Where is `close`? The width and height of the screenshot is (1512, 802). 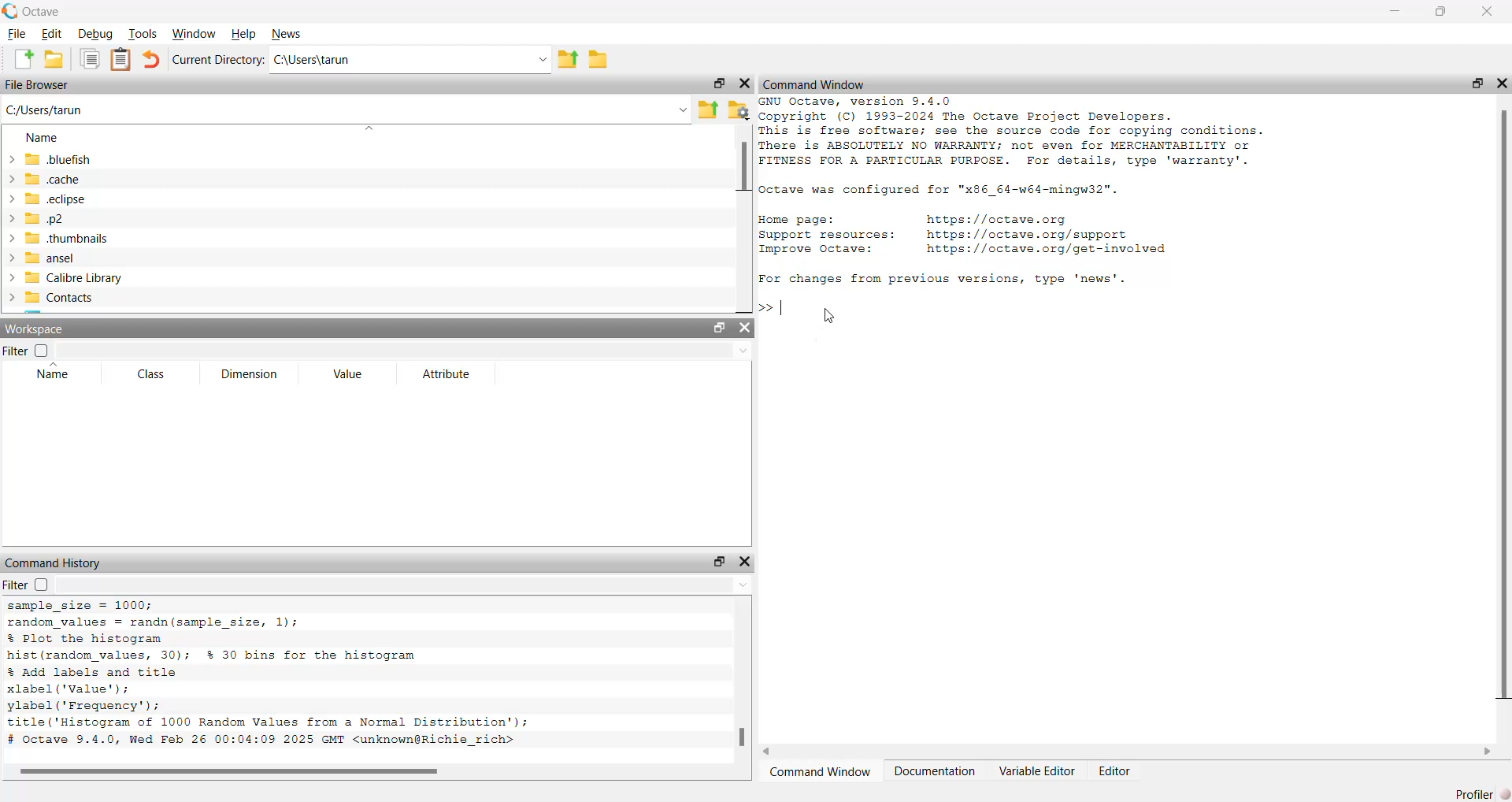 close is located at coordinates (1503, 84).